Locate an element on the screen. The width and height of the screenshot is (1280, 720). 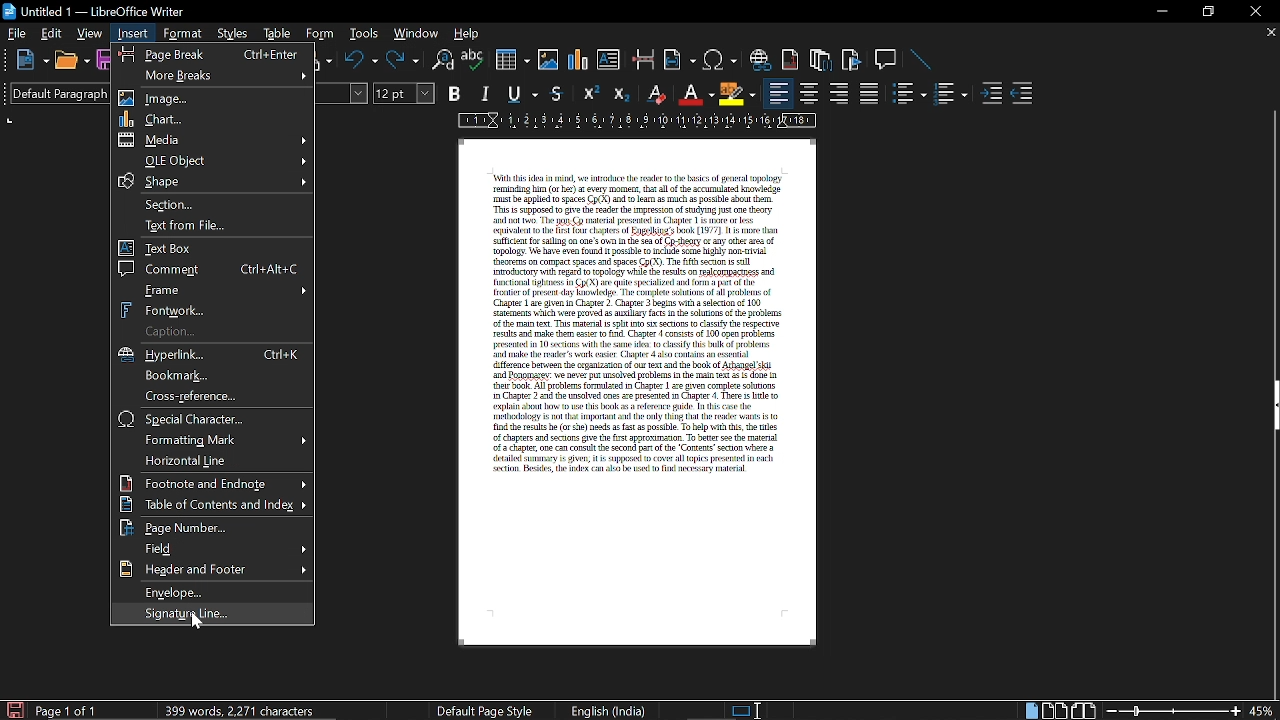
OLE object is located at coordinates (215, 160).